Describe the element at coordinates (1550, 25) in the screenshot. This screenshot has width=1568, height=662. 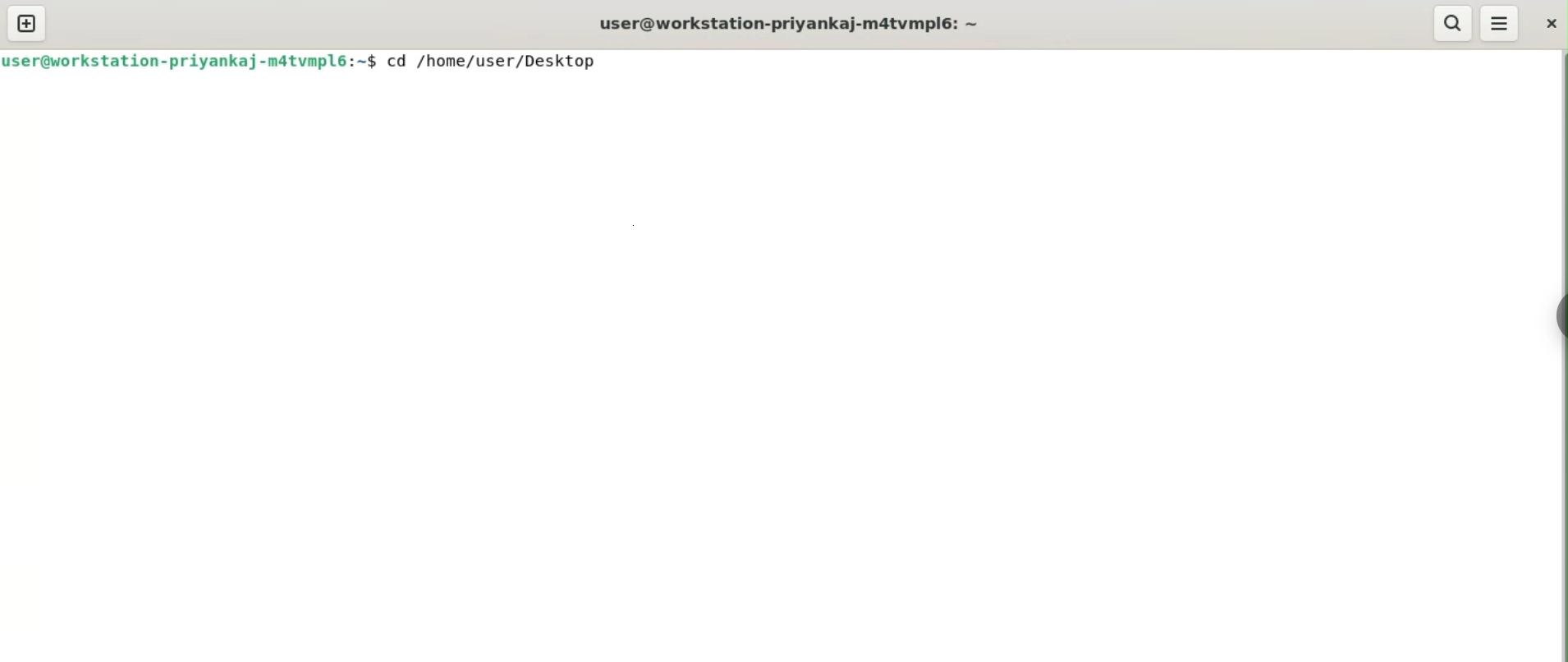
I see `close` at that location.